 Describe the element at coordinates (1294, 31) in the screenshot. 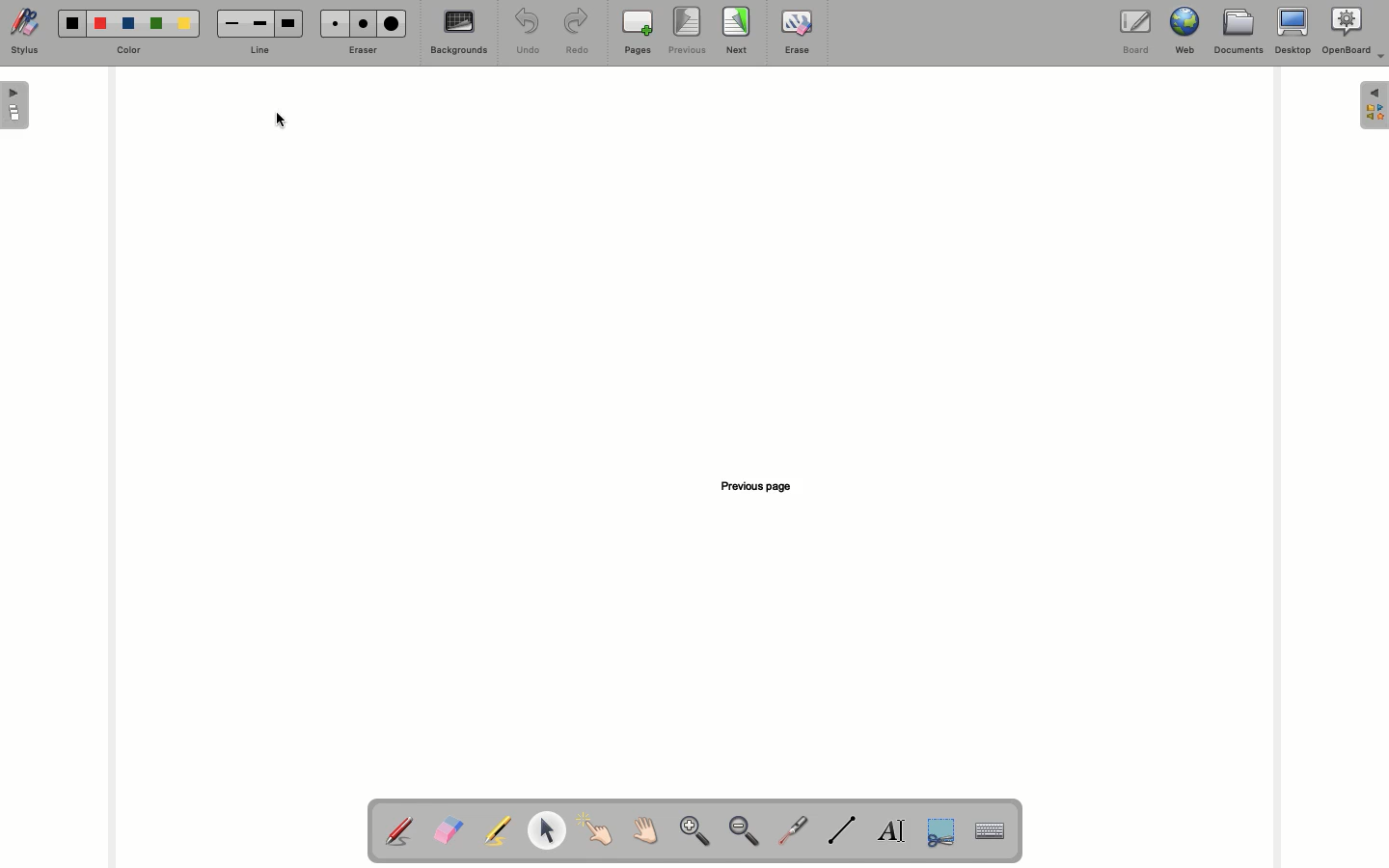

I see `Desktop` at that location.